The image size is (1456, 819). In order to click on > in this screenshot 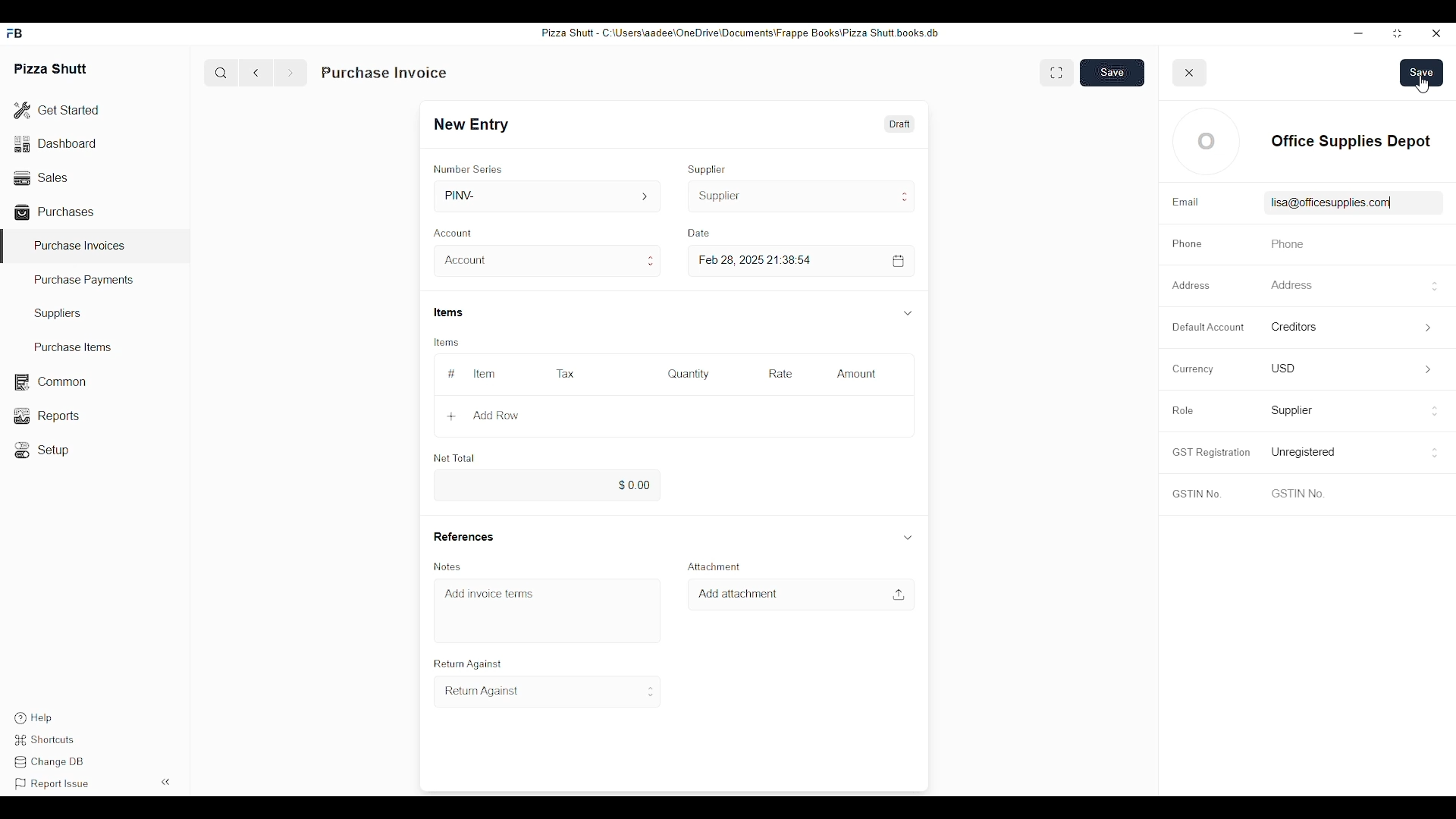, I will do `click(1432, 328)`.